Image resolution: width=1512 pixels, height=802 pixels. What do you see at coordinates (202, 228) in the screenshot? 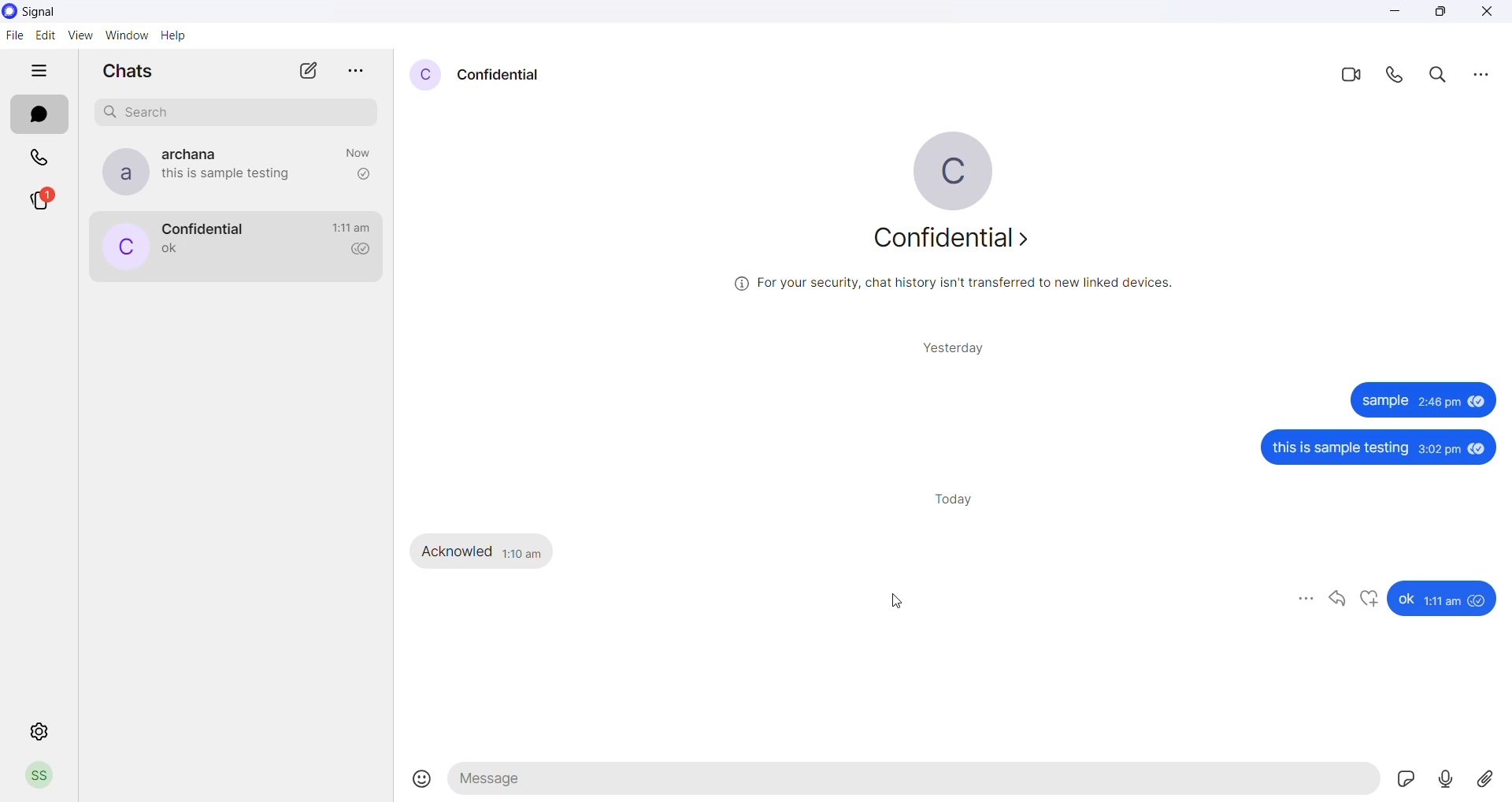
I see `contact name` at bounding box center [202, 228].